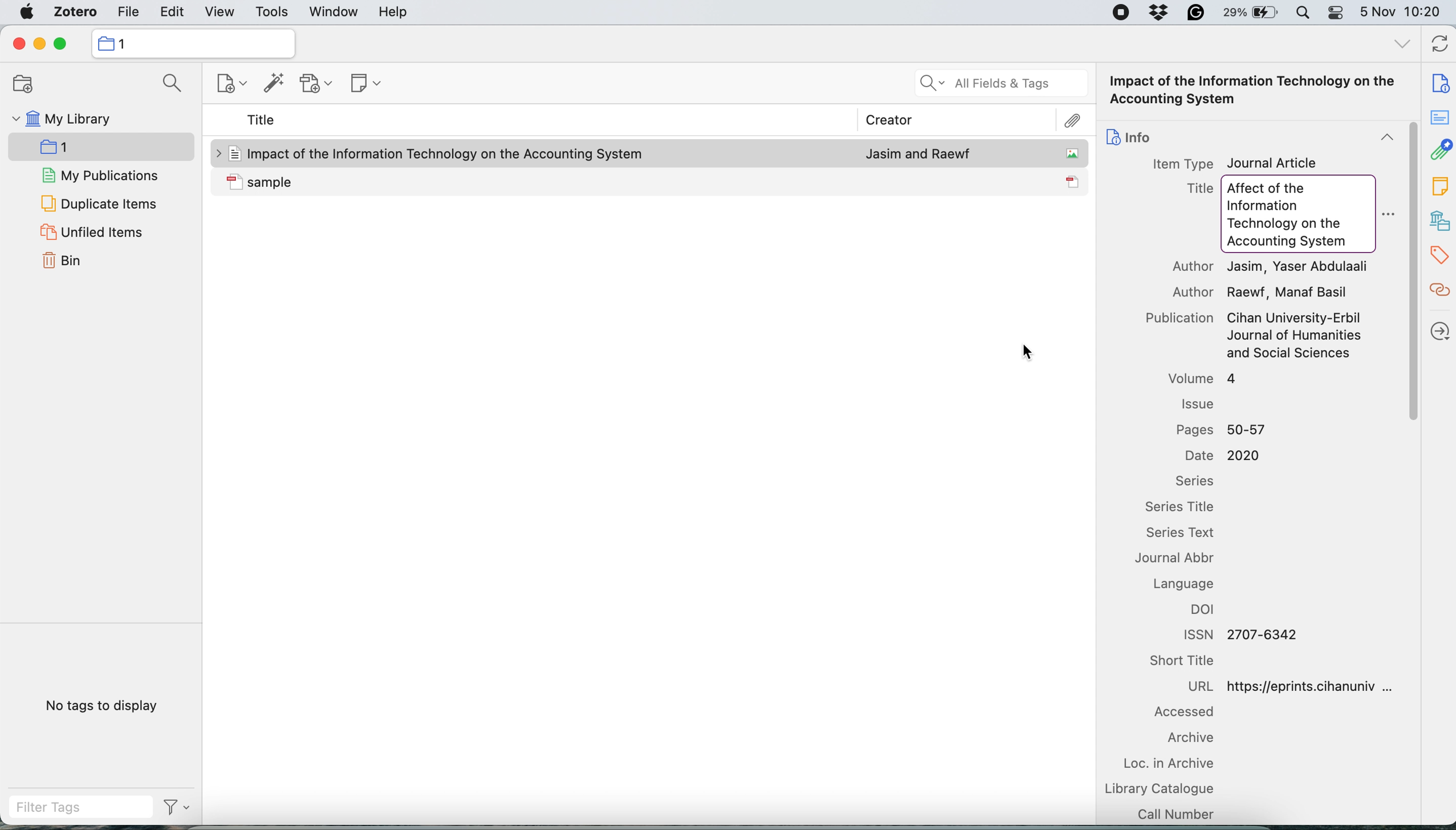 This screenshot has height=830, width=1456. What do you see at coordinates (1195, 482) in the screenshot?
I see `series` at bounding box center [1195, 482].